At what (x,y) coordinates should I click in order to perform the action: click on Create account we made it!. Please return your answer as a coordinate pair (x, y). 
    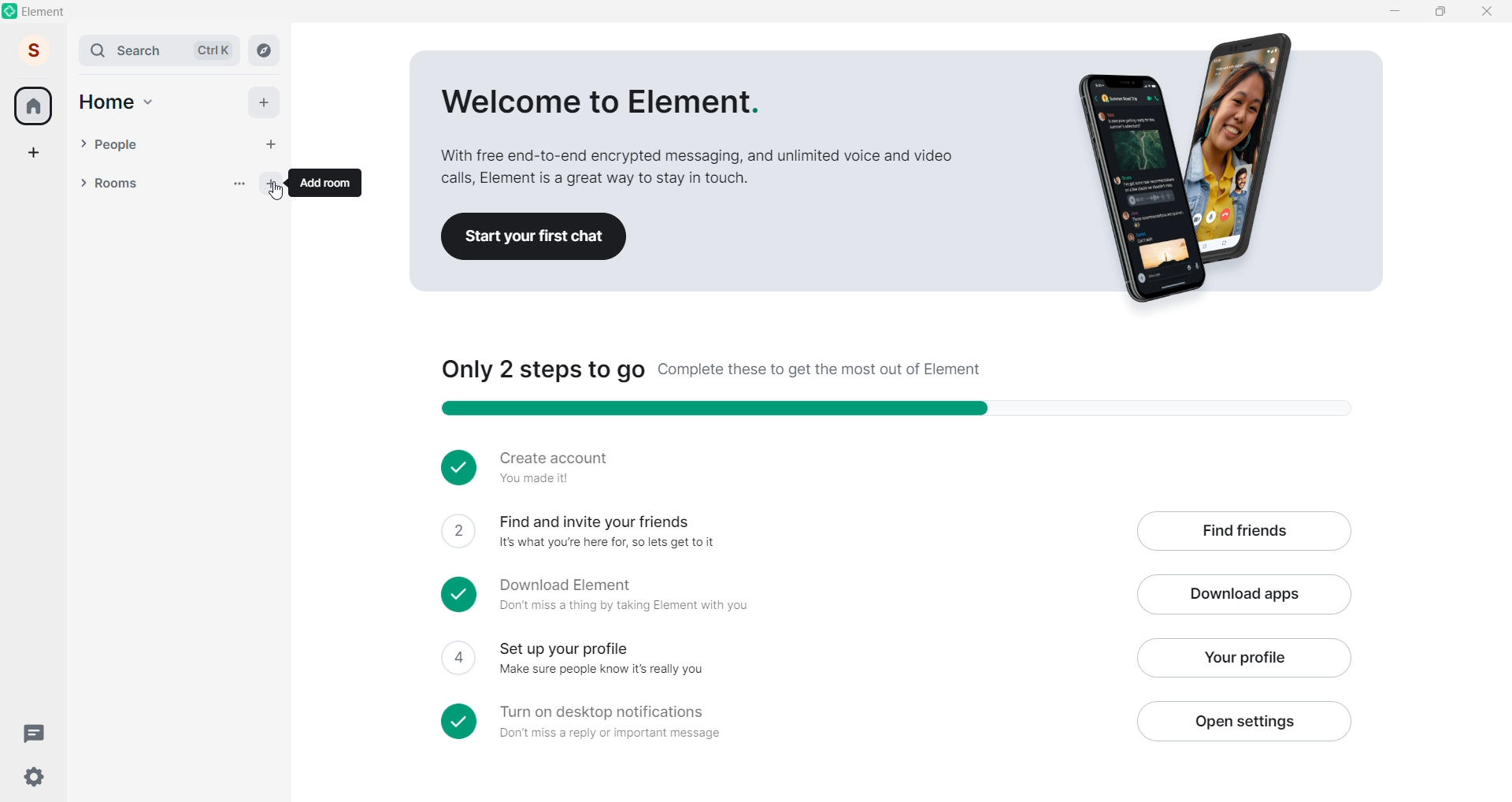
    Looking at the image, I should click on (888, 466).